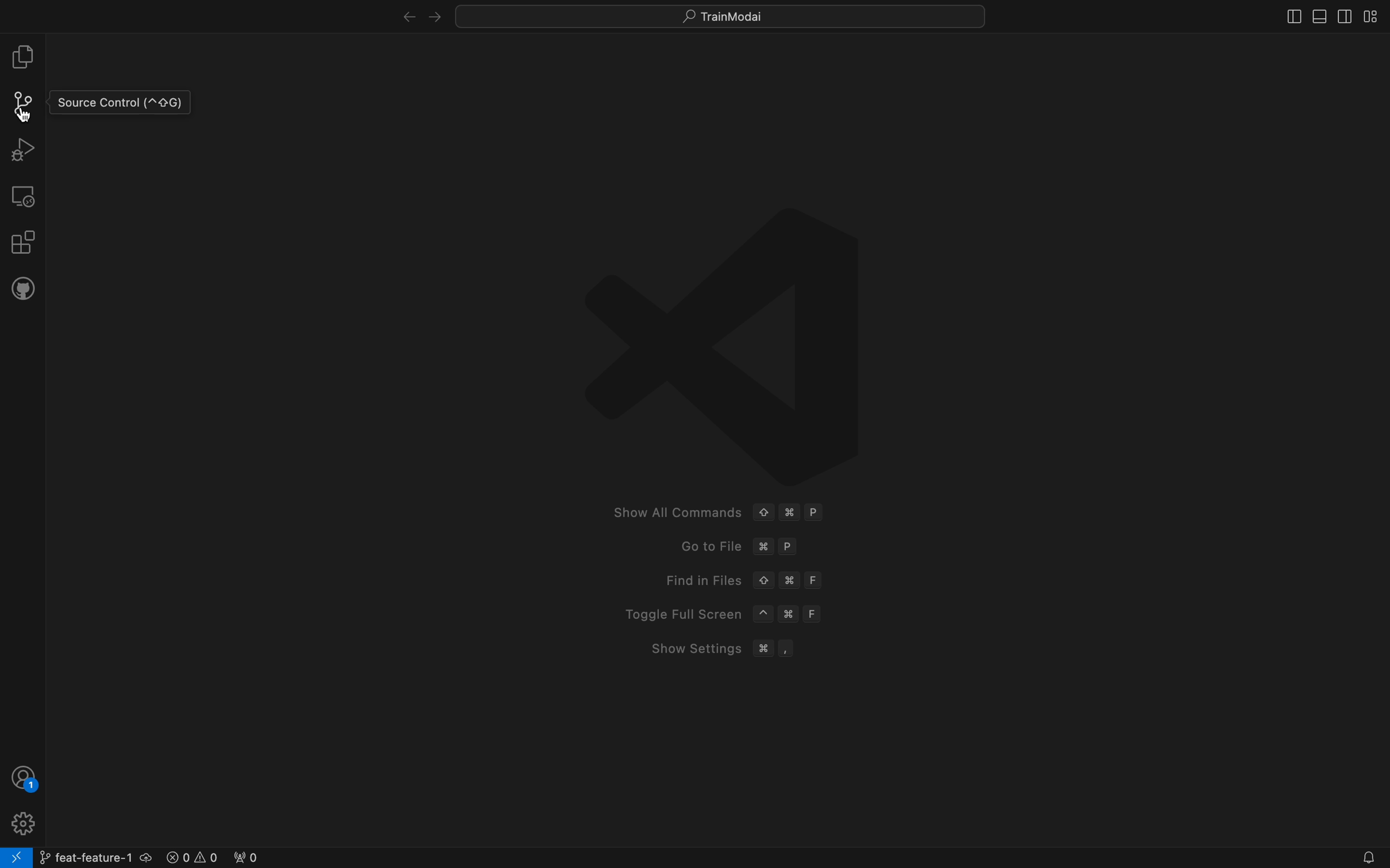  What do you see at coordinates (790, 580) in the screenshot?
I see `Command` at bounding box center [790, 580].